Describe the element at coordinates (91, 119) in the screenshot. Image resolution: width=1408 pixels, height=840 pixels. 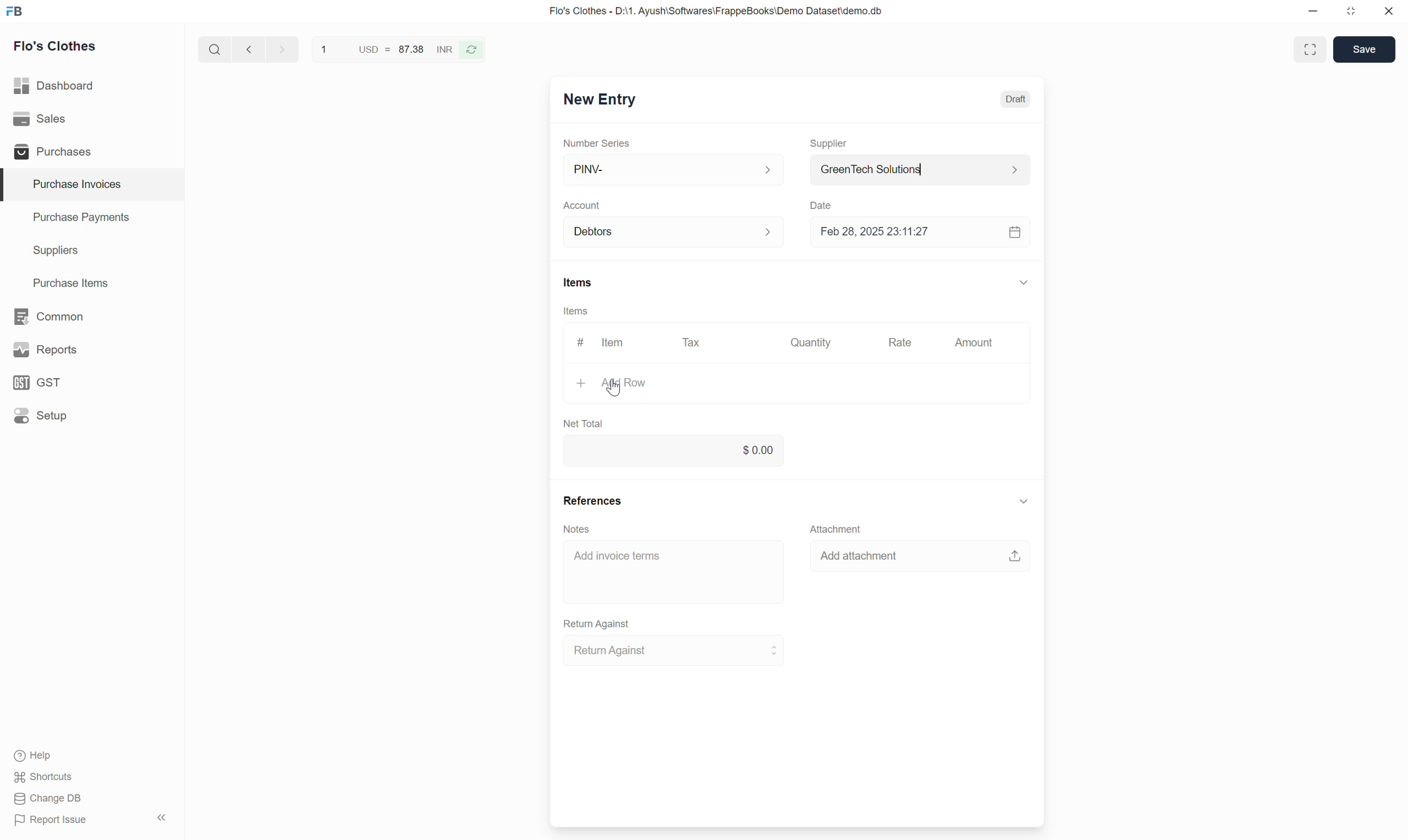
I see `Sales` at that location.